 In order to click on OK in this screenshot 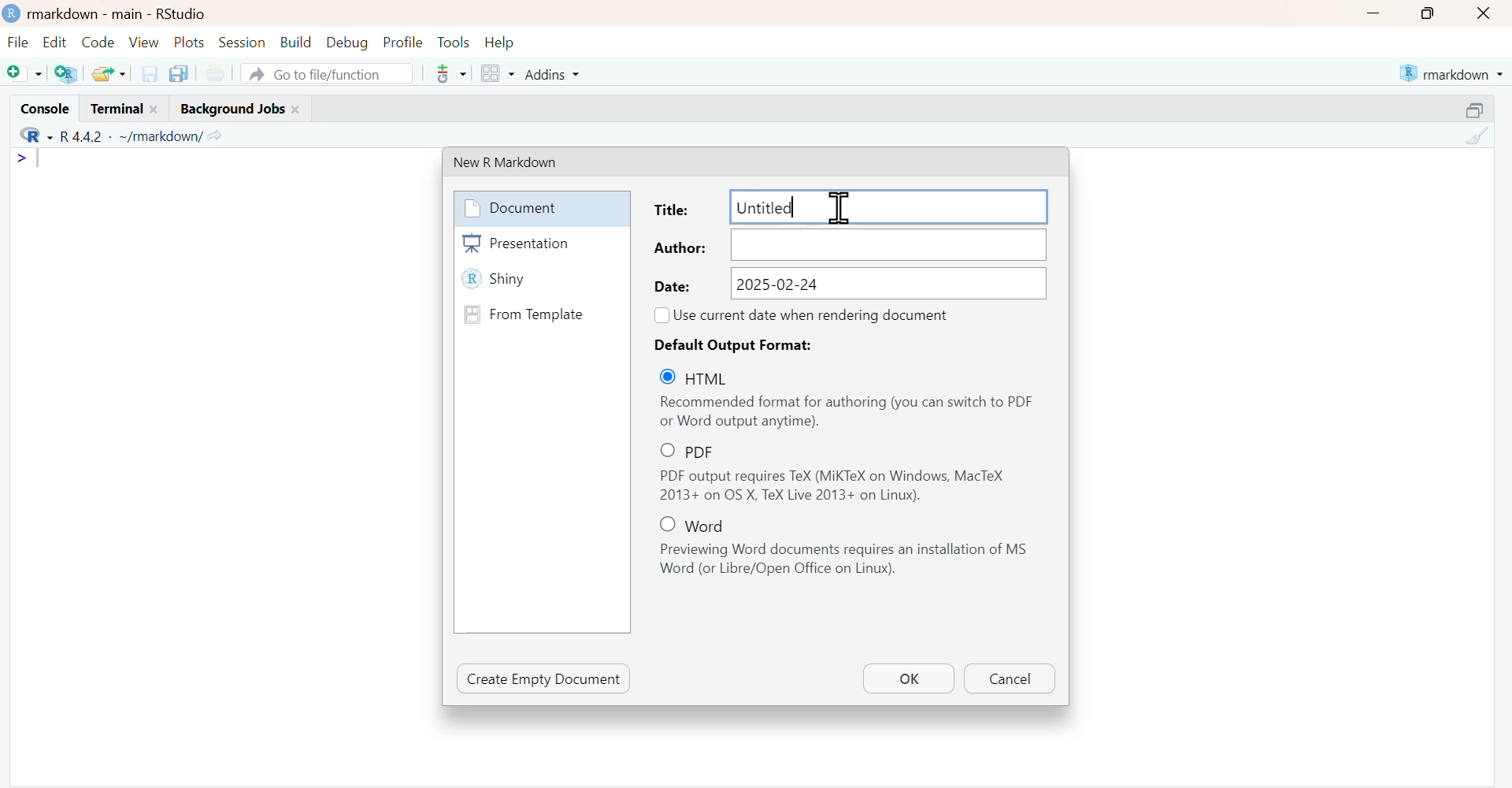, I will do `click(908, 678)`.